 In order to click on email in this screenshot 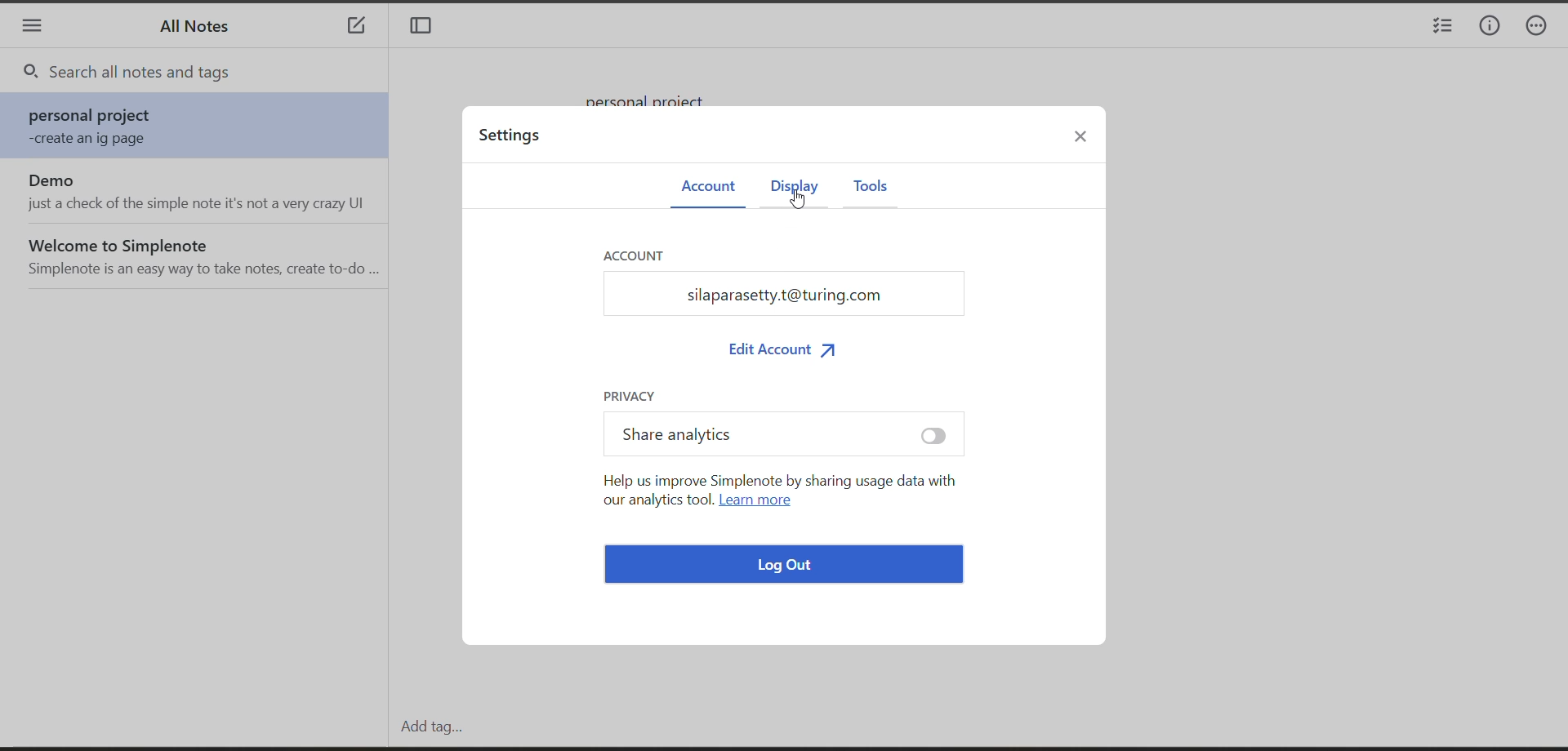, I will do `click(789, 296)`.